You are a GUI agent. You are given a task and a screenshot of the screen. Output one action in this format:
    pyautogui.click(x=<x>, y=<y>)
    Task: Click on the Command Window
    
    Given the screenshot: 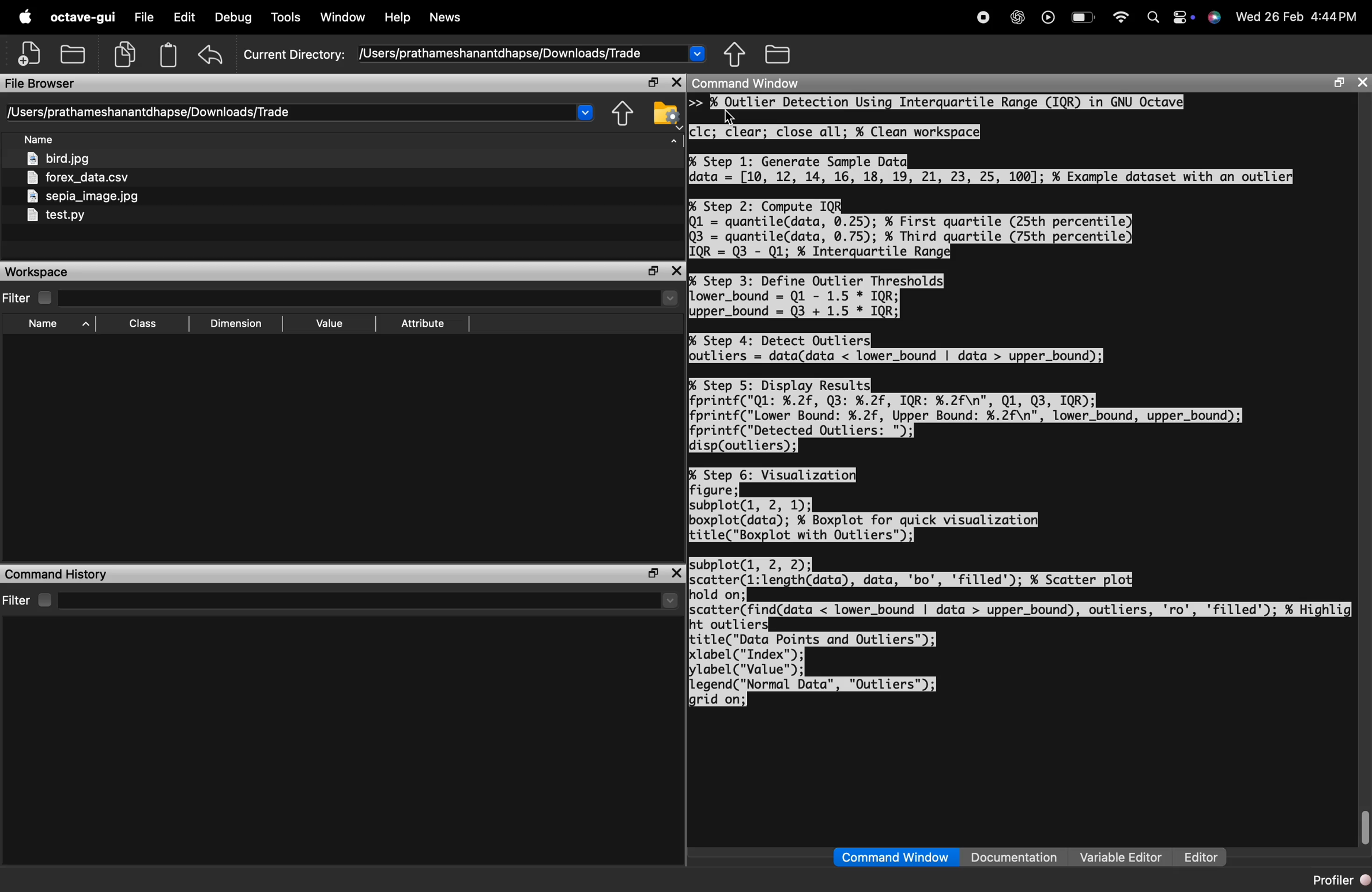 What is the action you would take?
    pyautogui.click(x=747, y=83)
    